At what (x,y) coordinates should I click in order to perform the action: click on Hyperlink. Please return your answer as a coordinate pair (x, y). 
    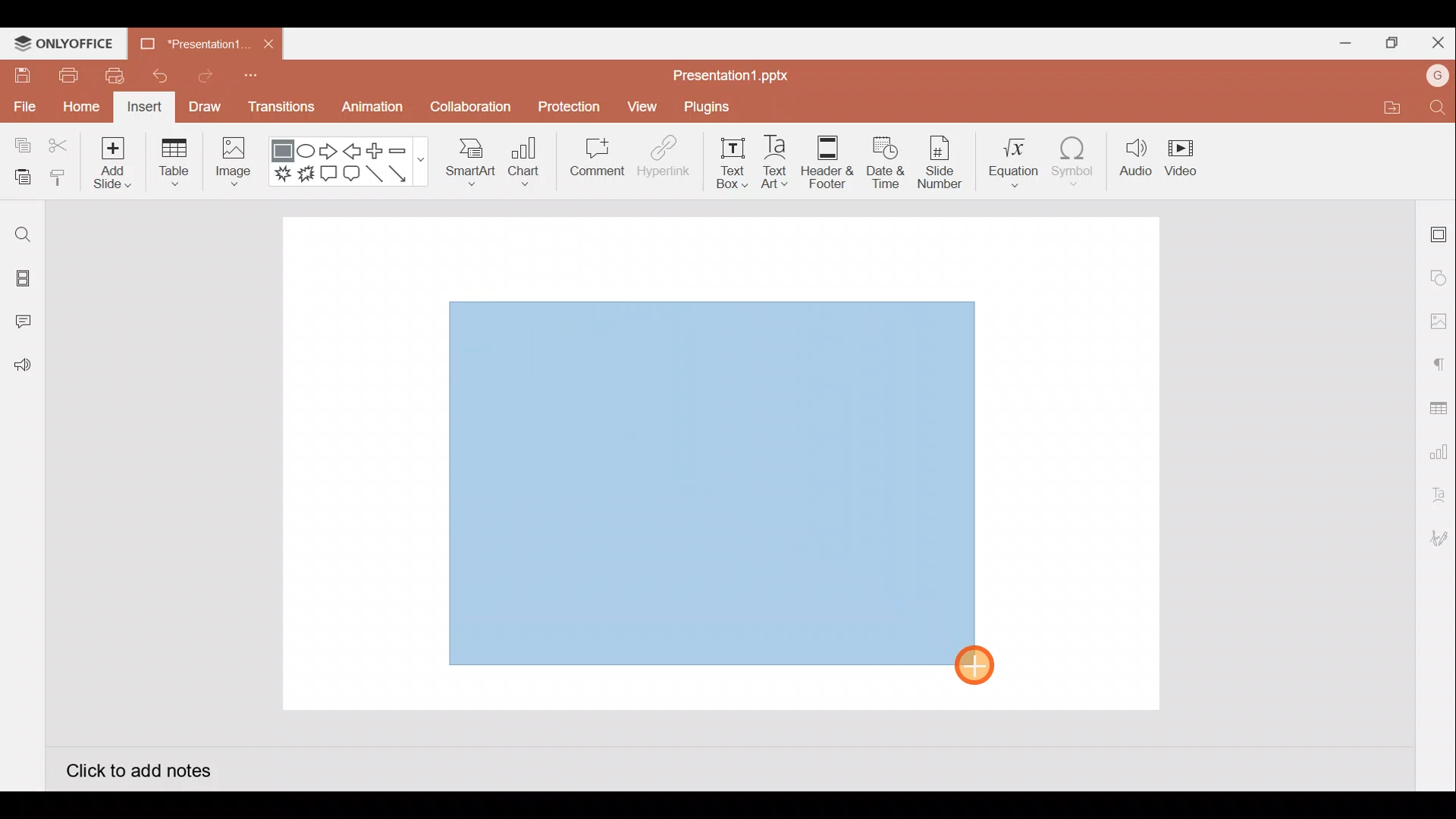
    Looking at the image, I should click on (660, 158).